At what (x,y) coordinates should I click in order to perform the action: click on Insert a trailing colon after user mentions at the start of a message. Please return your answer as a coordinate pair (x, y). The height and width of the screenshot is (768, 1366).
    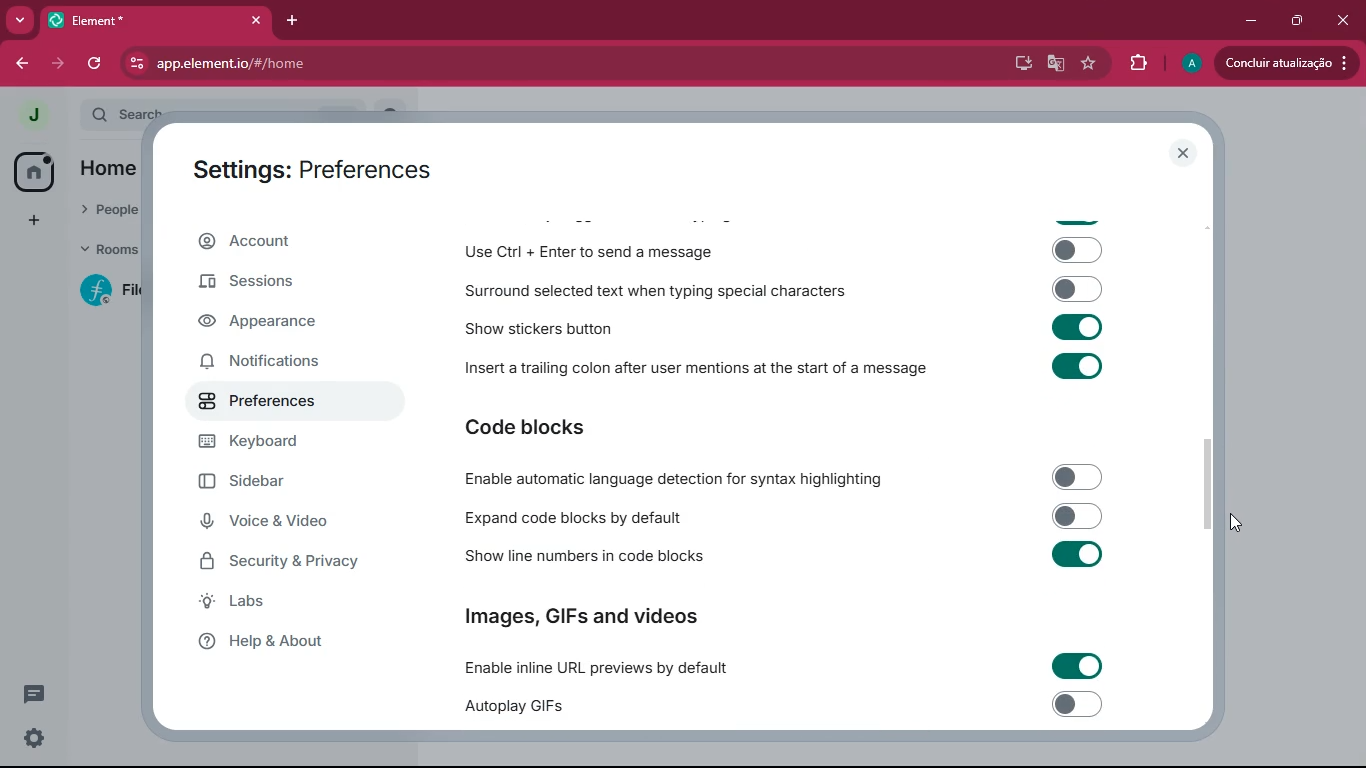
    Looking at the image, I should click on (782, 372).